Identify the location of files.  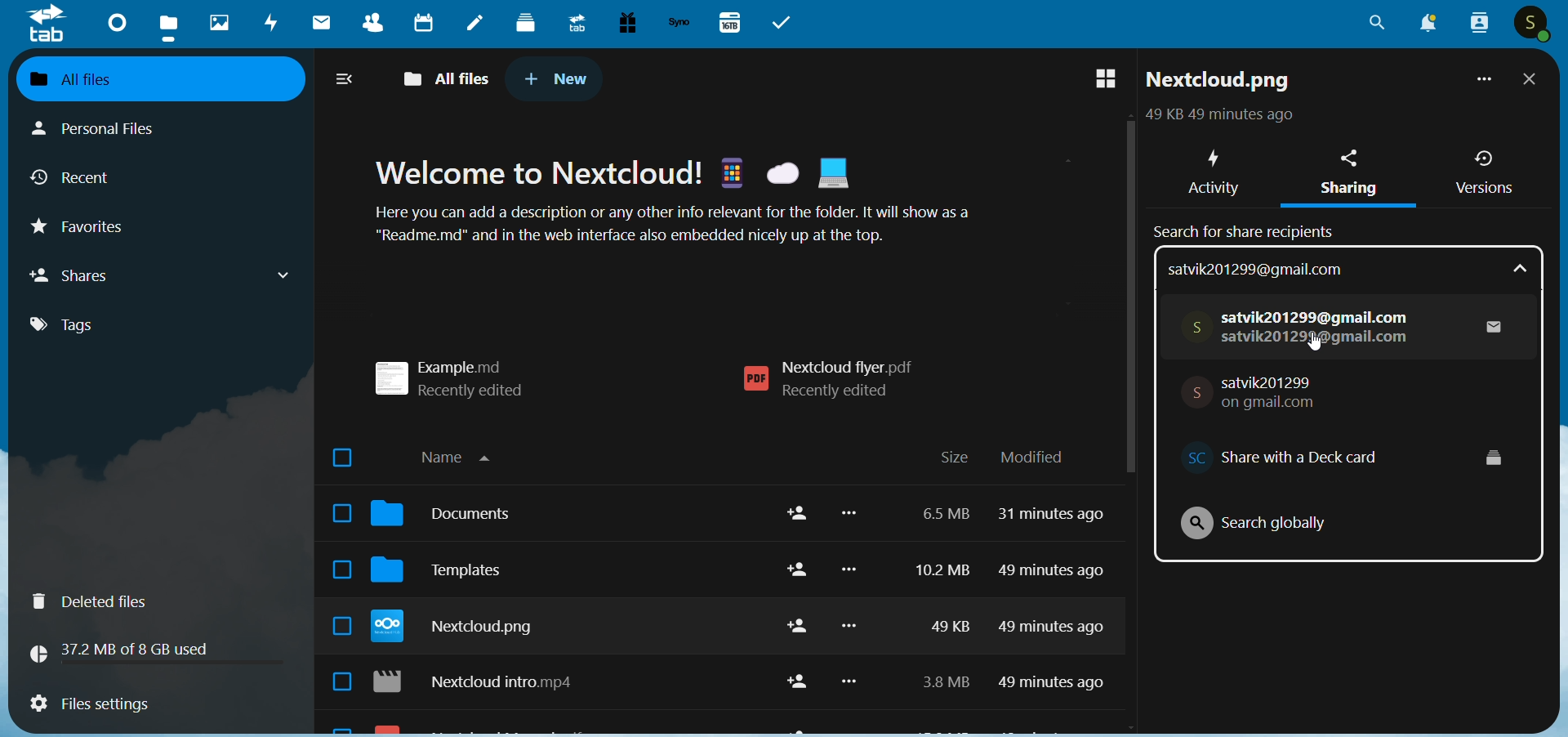
(171, 26).